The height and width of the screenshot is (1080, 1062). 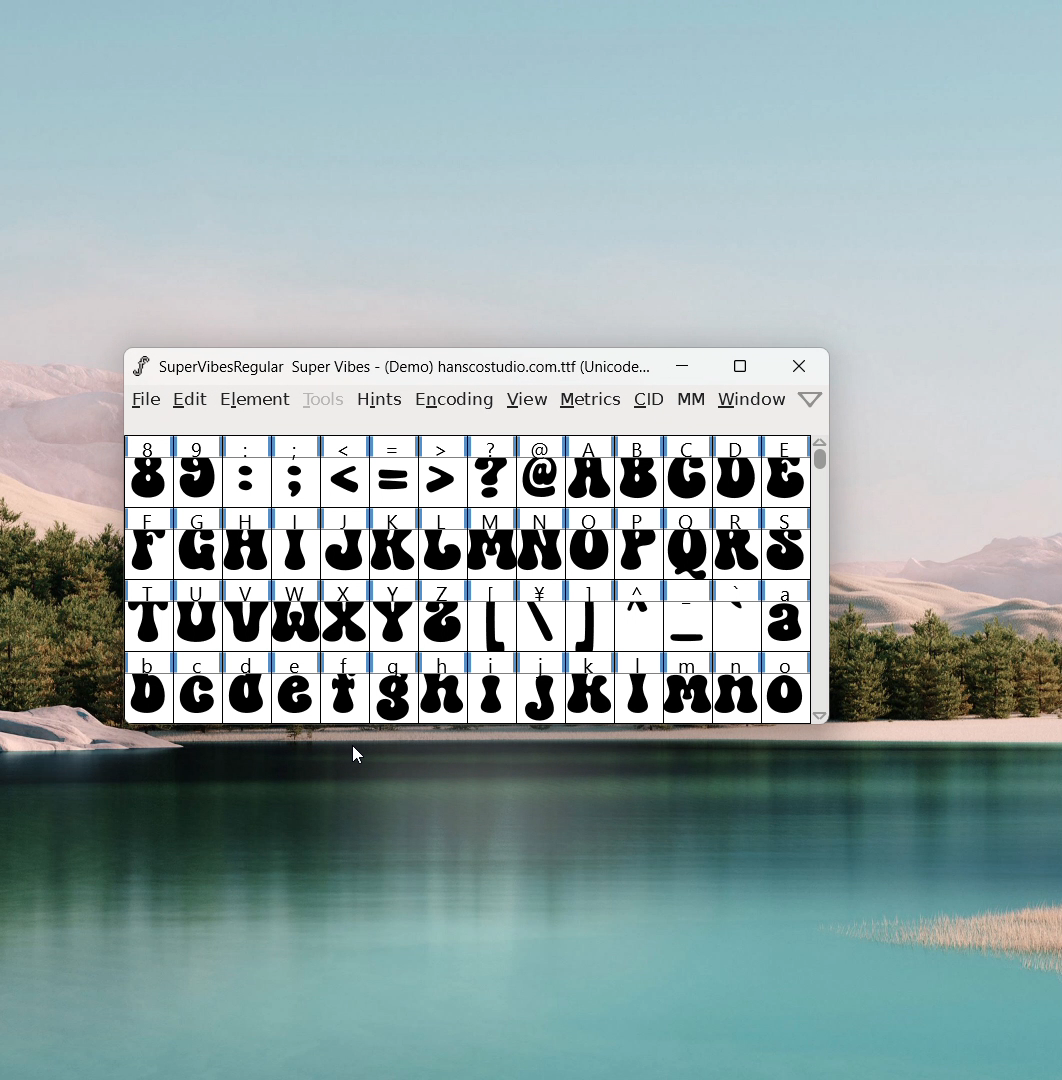 I want to click on scrollbar, so click(x=823, y=566).